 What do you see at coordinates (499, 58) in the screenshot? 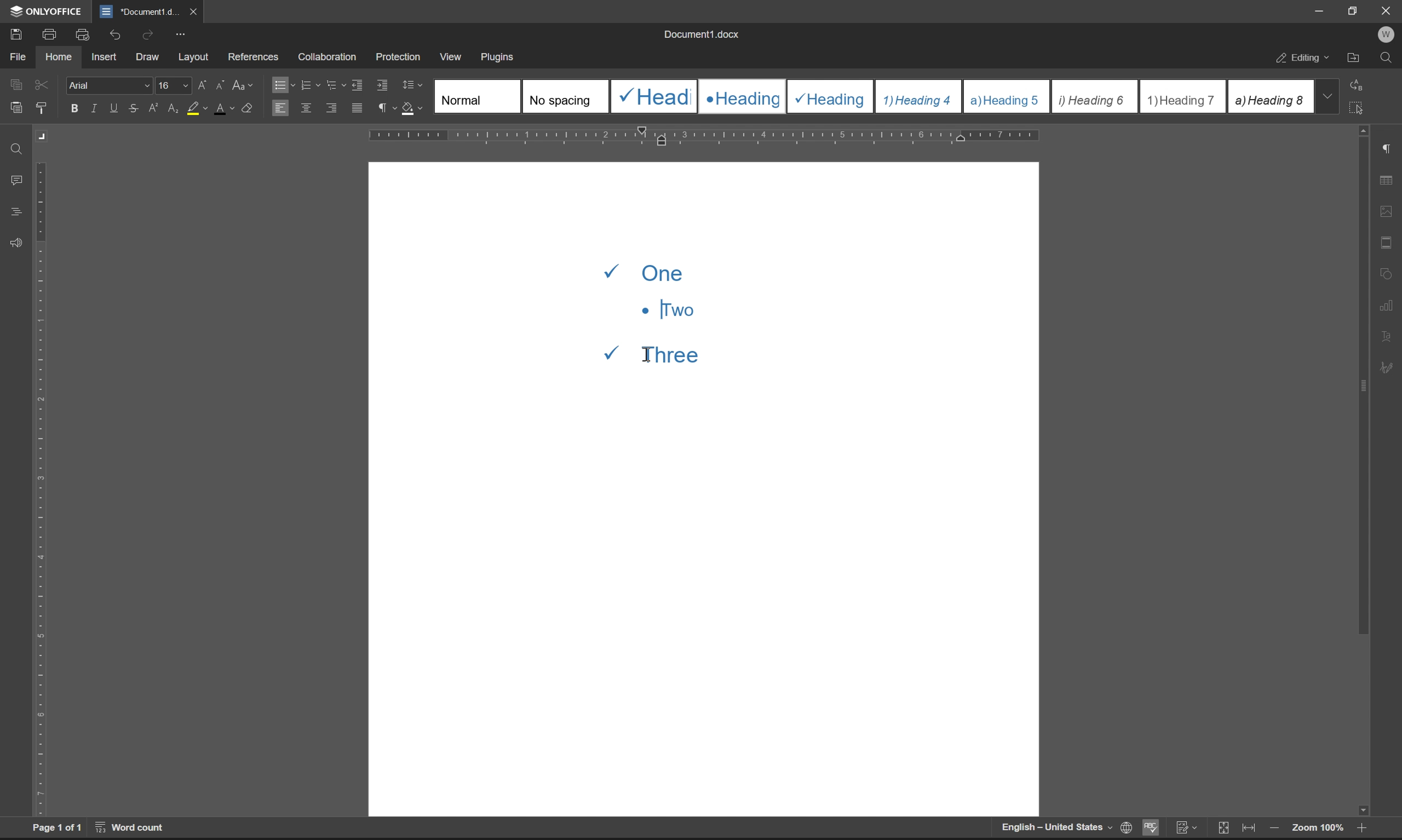
I see `plugins` at bounding box center [499, 58].